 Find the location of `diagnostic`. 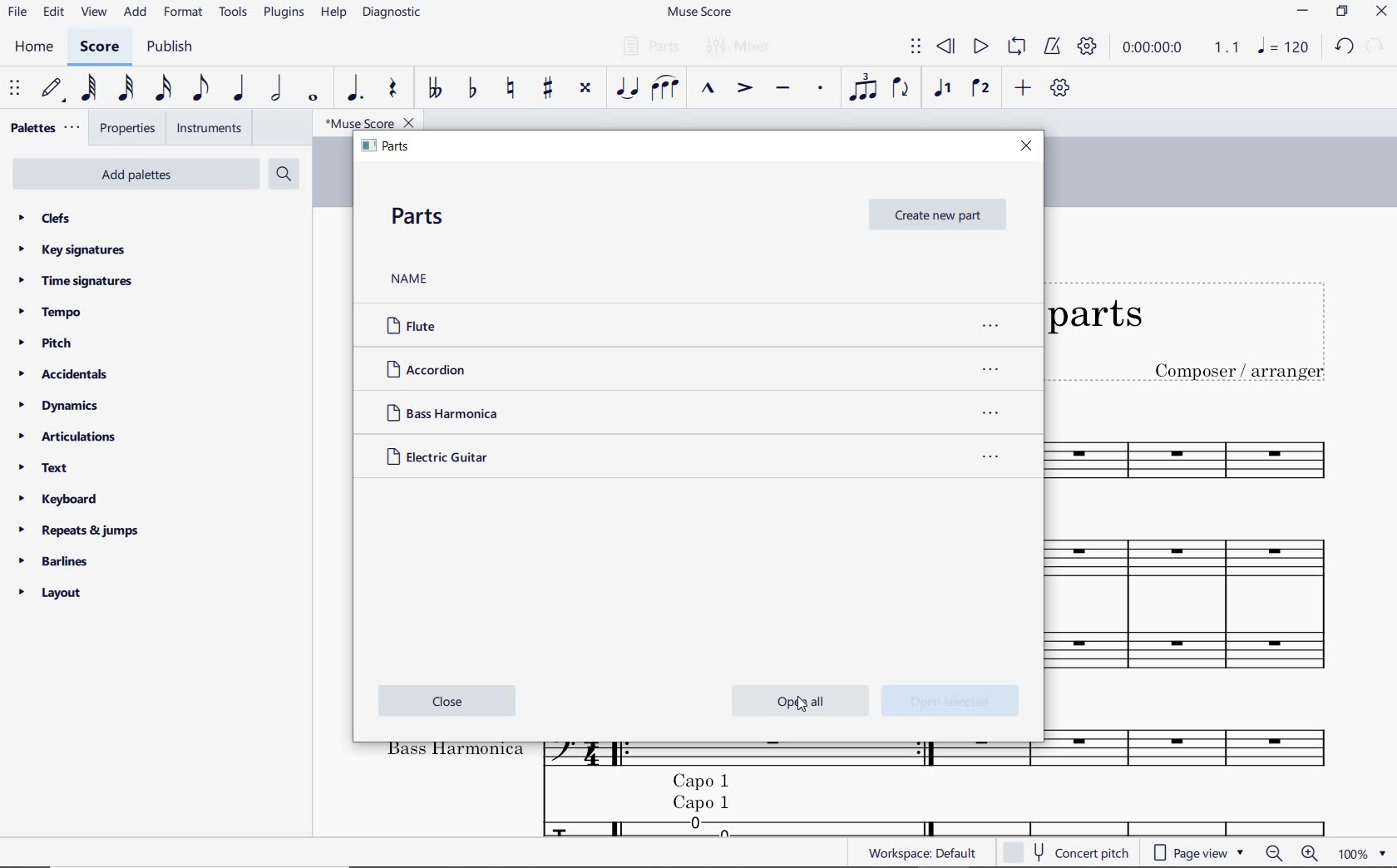

diagnostic is located at coordinates (391, 13).